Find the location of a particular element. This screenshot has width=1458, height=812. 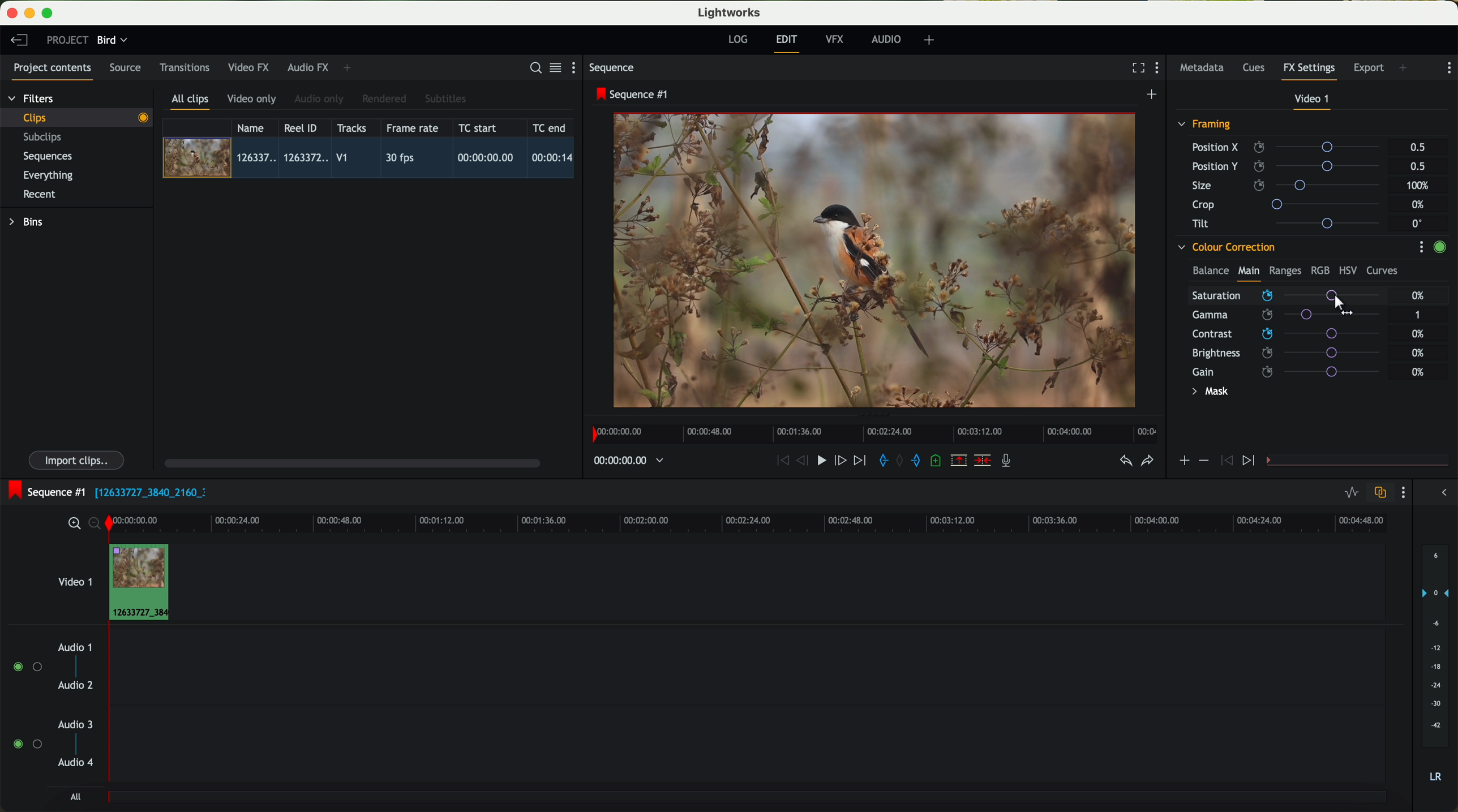

clips is located at coordinates (77, 117).